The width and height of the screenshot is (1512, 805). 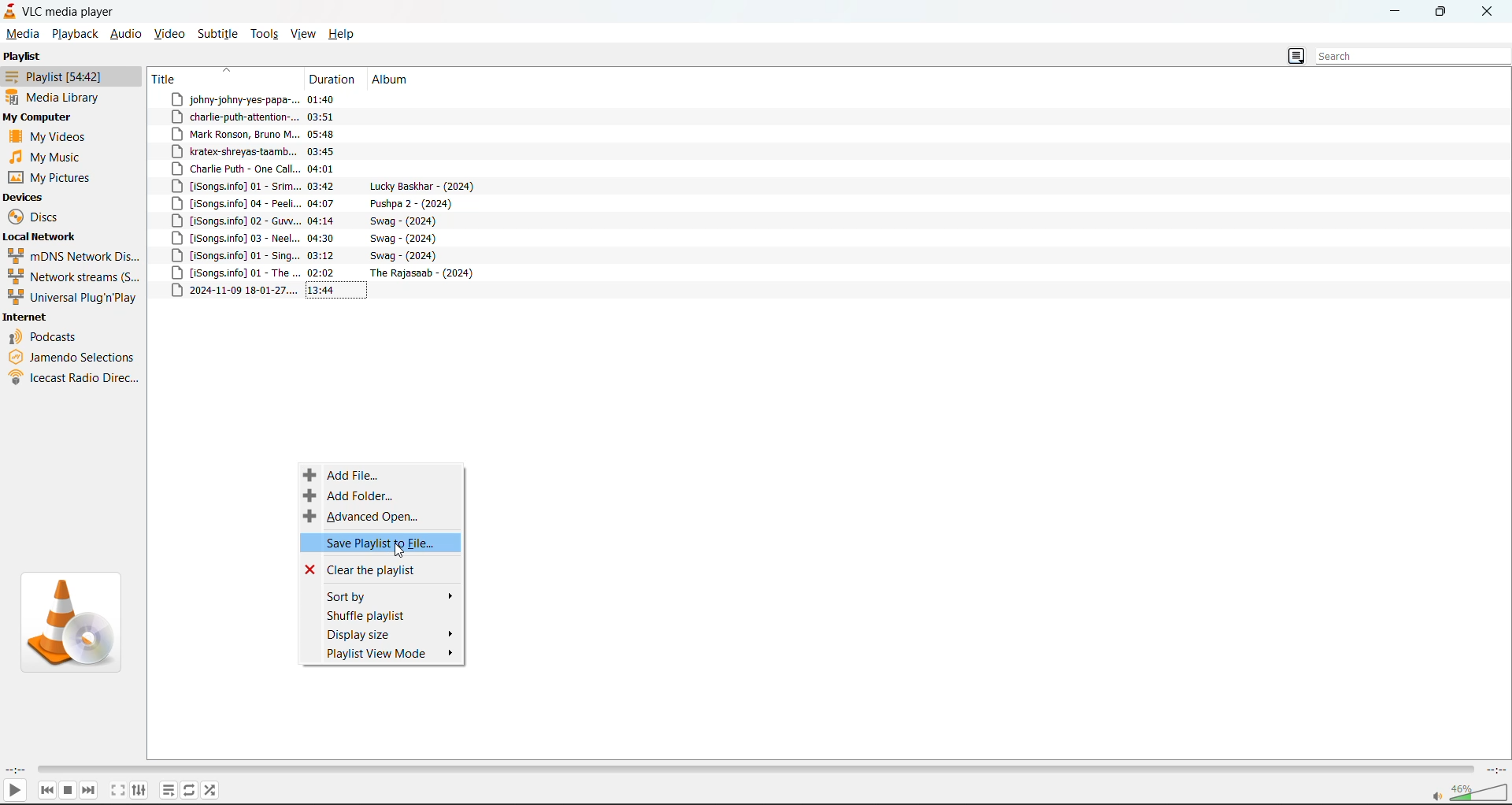 I want to click on add file, so click(x=382, y=474).